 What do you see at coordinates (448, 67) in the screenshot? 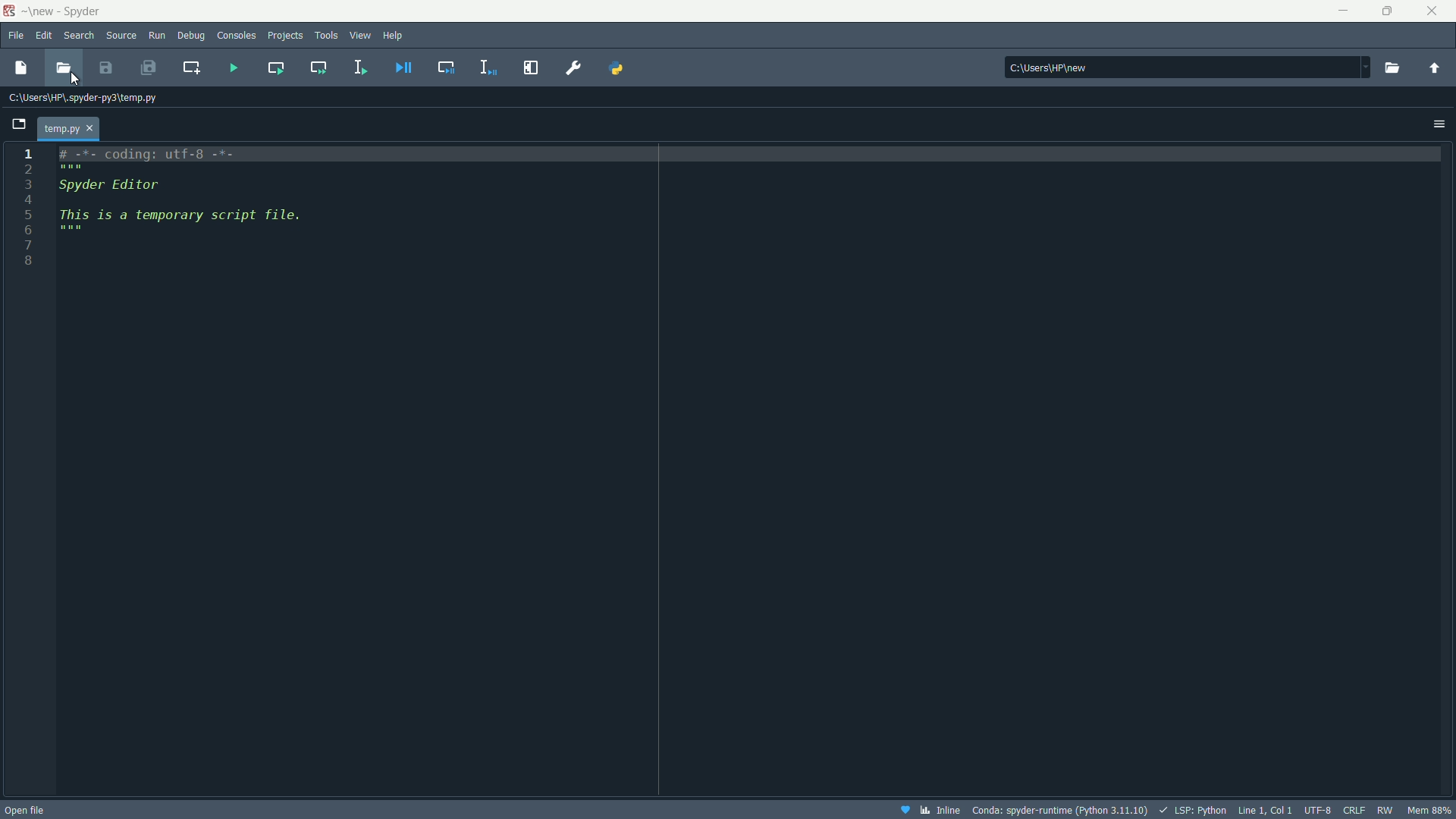
I see `Debug current cell and go to the next one` at bounding box center [448, 67].